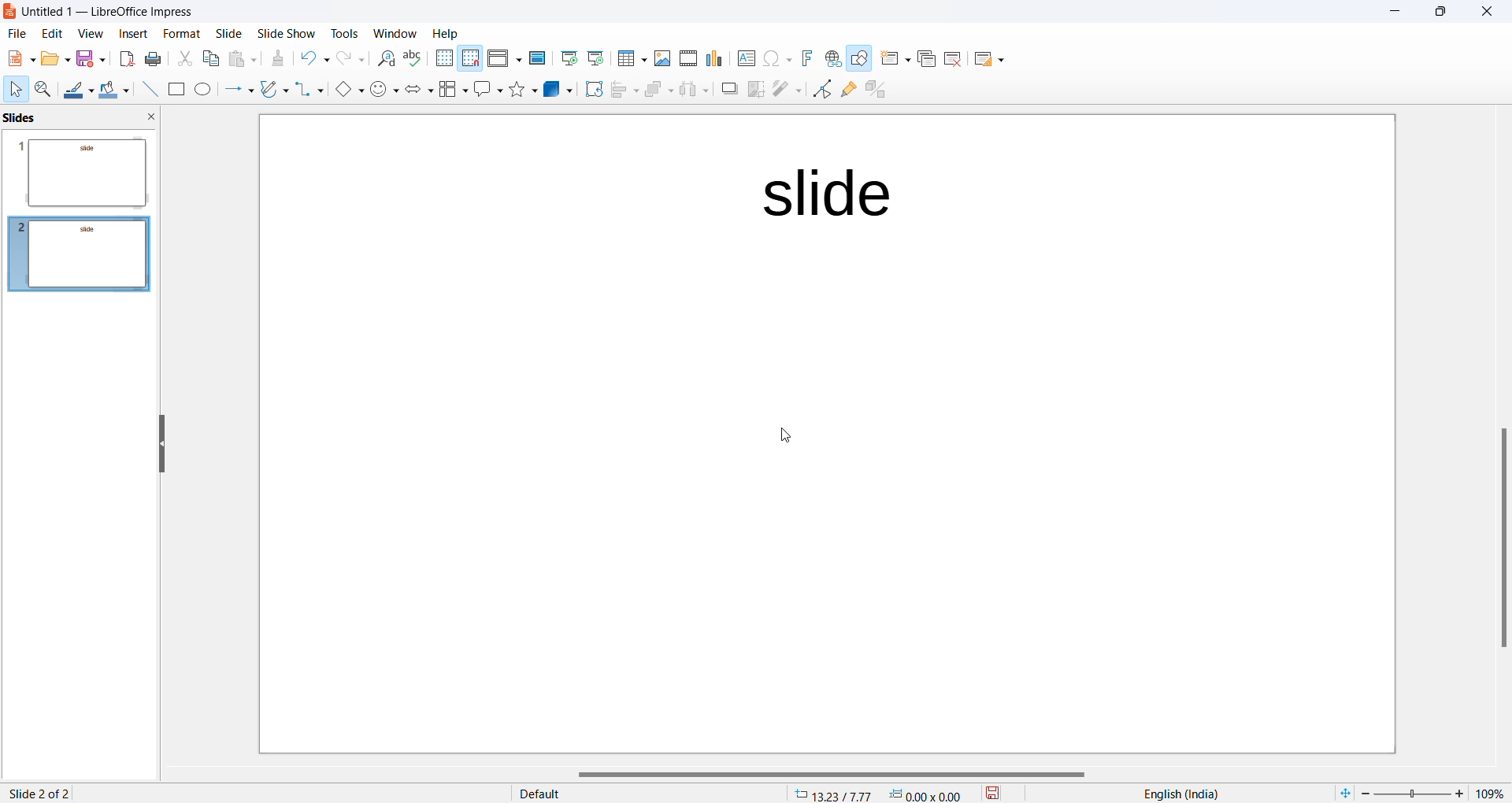 The height and width of the screenshot is (803, 1512). Describe the element at coordinates (832, 794) in the screenshot. I see `cursor location: -2.87/1.85` at that location.